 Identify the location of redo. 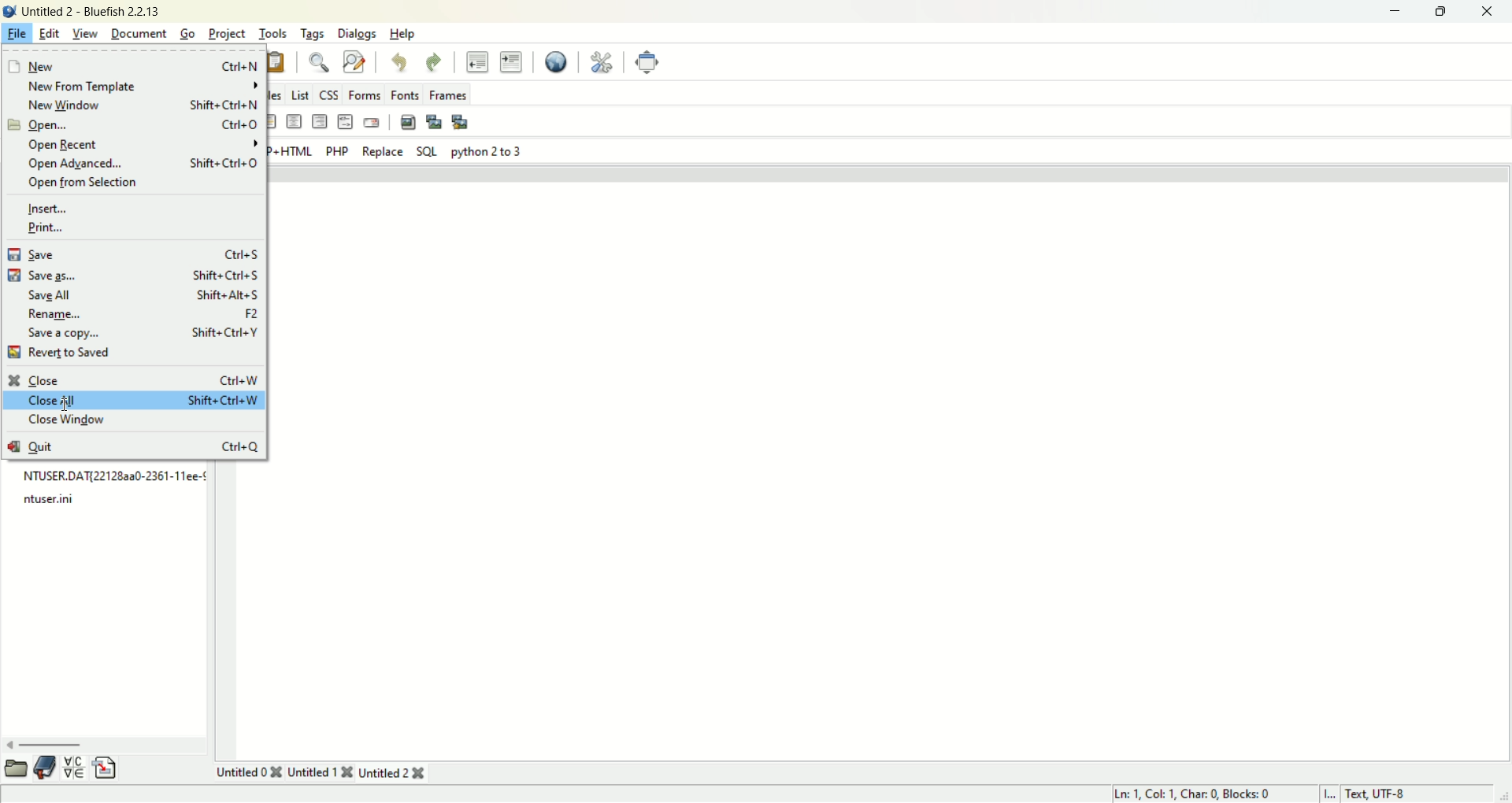
(435, 61).